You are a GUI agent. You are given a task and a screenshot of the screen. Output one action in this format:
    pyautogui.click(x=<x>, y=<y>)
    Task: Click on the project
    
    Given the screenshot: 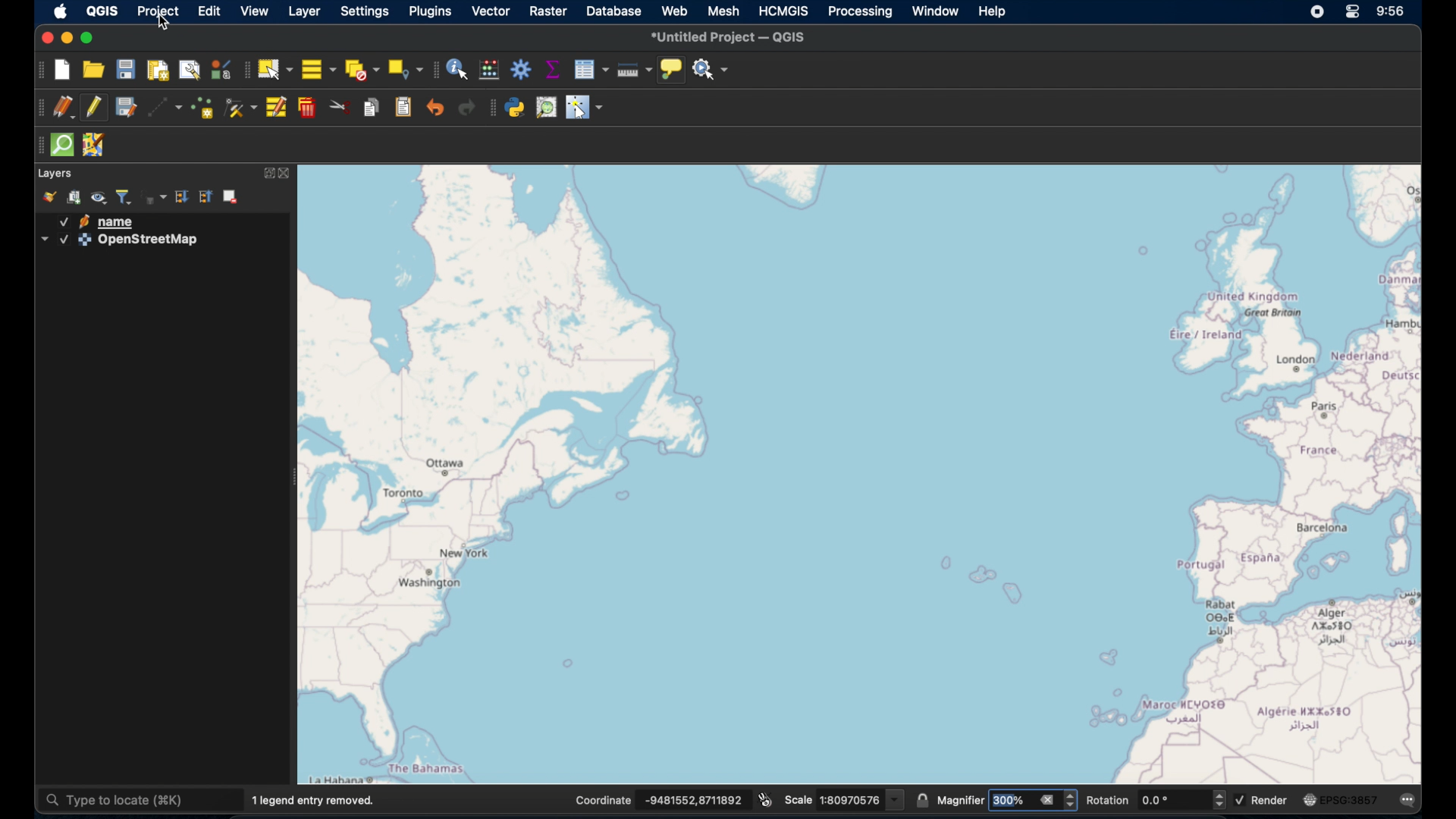 What is the action you would take?
    pyautogui.click(x=156, y=11)
    